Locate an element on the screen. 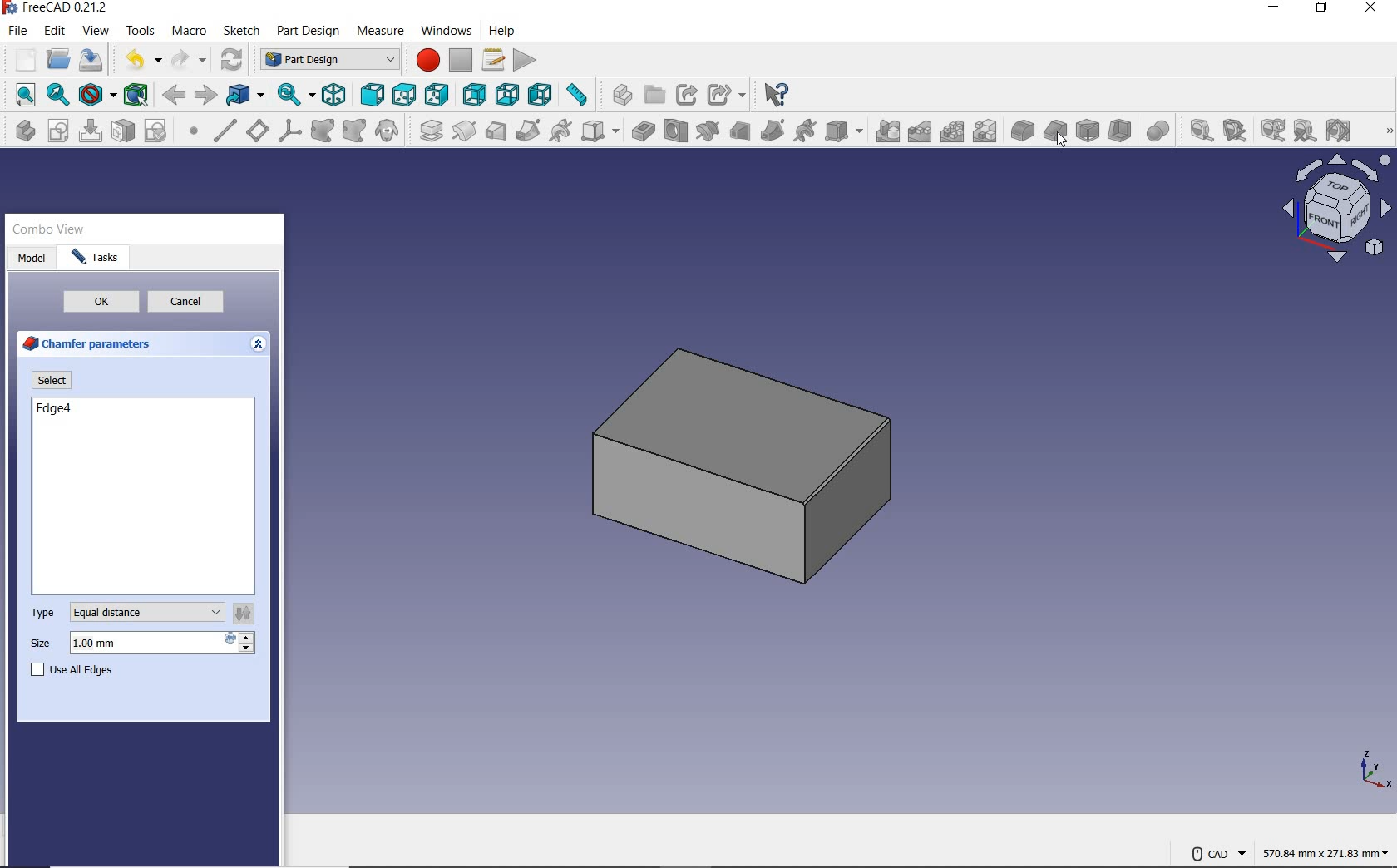  what's this? is located at coordinates (777, 94).